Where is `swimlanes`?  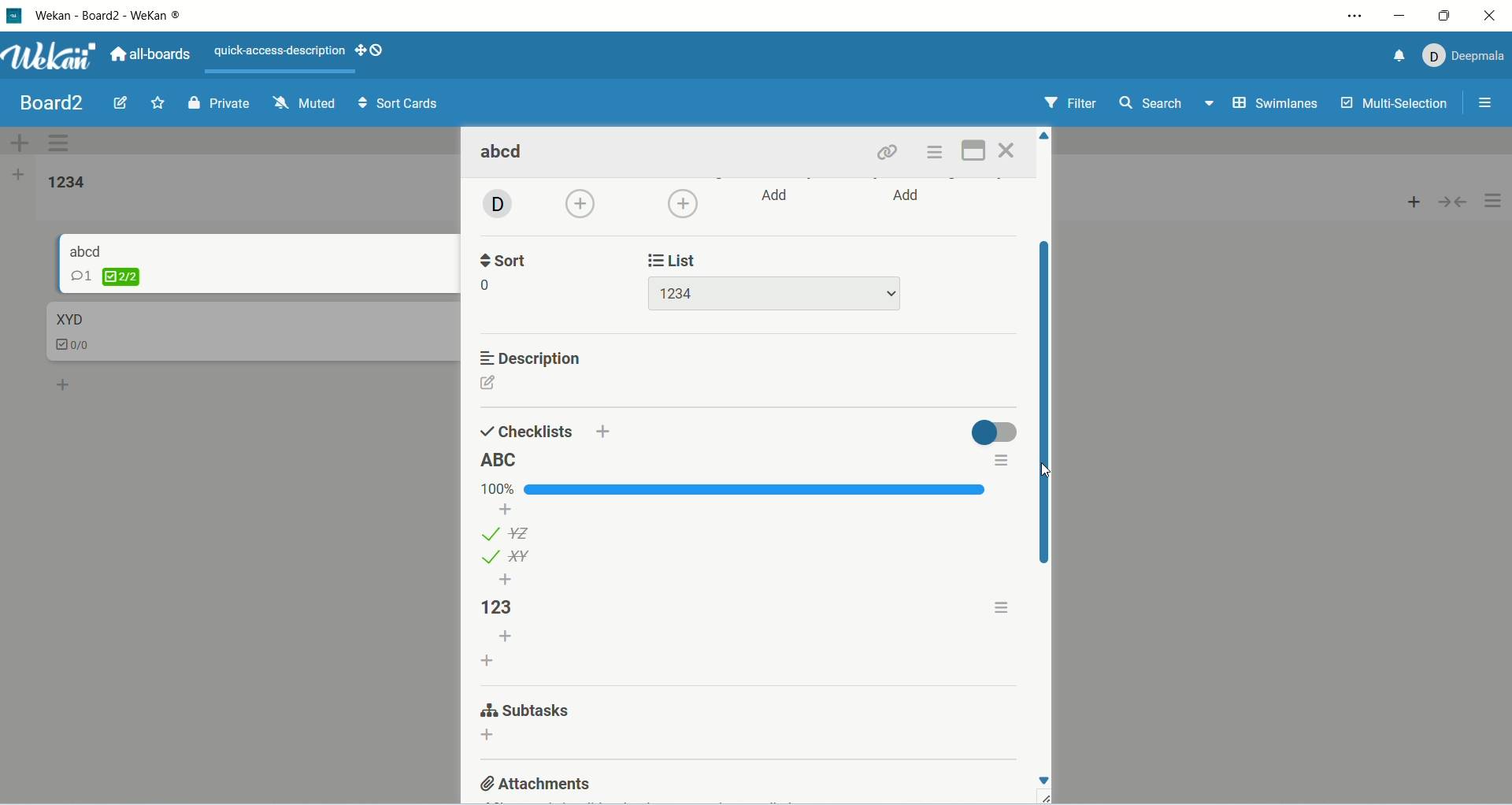
swimlanes is located at coordinates (1274, 104).